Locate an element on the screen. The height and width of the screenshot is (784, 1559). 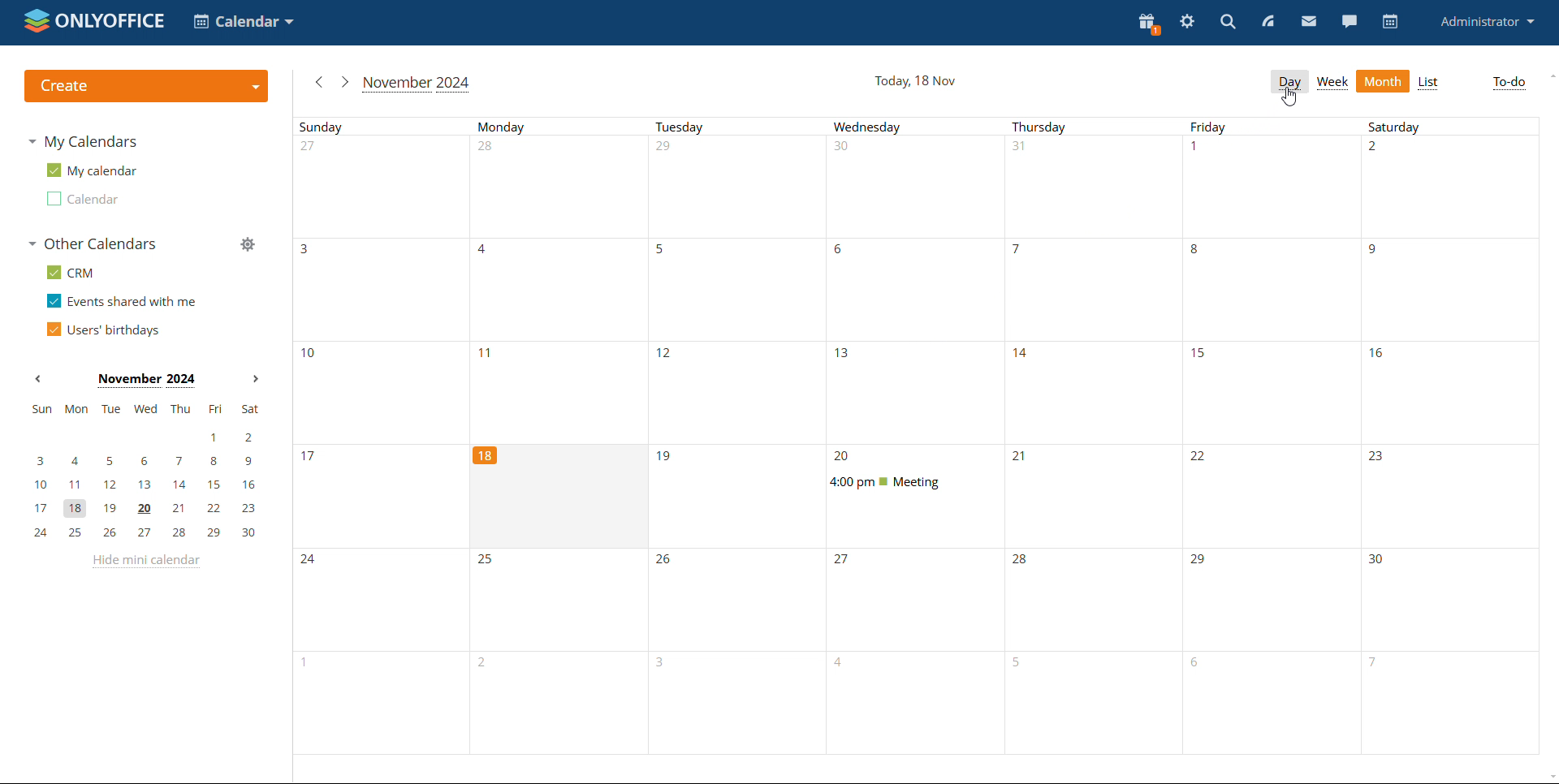
Days of a week is located at coordinates (917, 126).